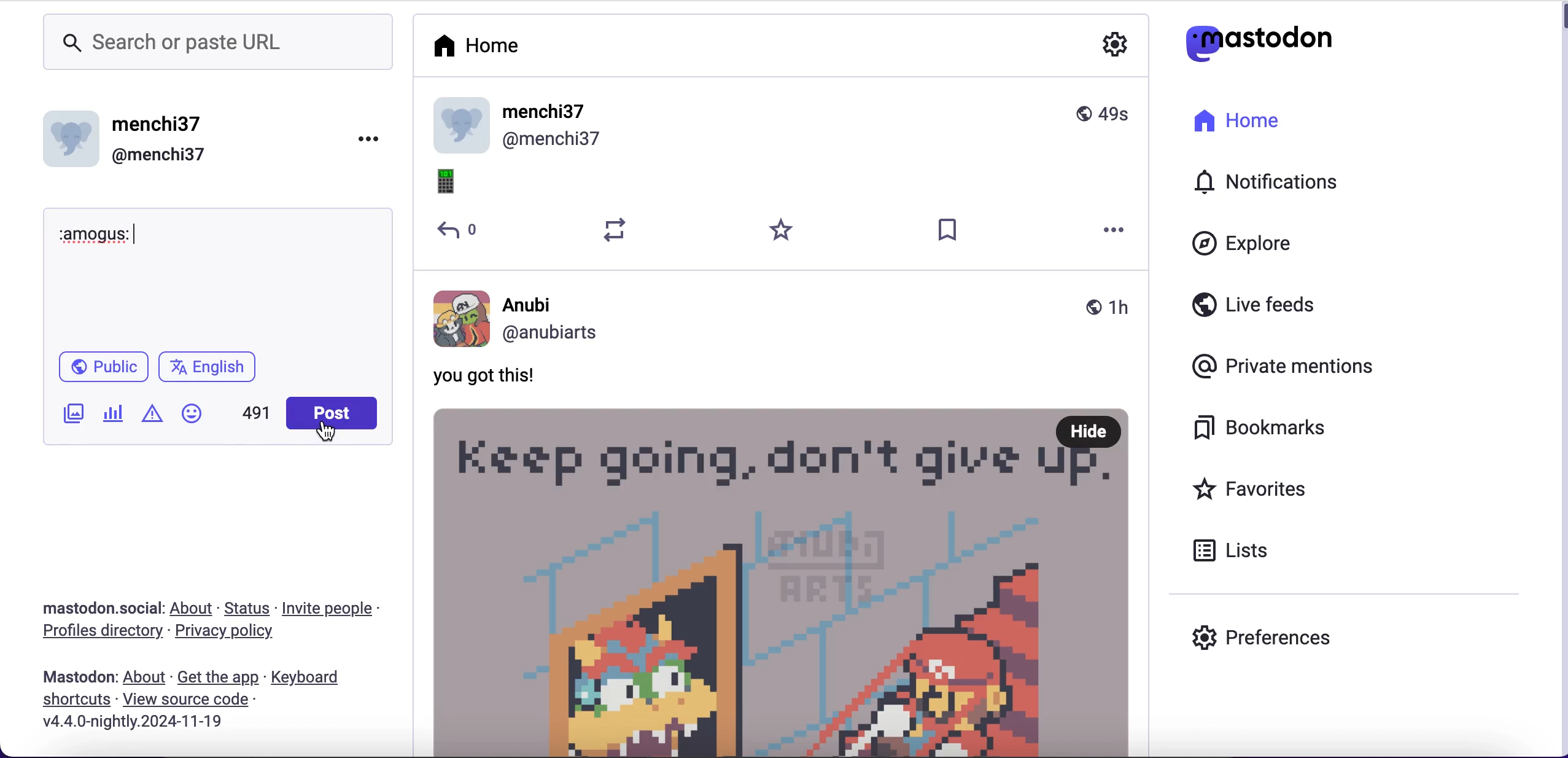  I want to click on emoji, so click(456, 184).